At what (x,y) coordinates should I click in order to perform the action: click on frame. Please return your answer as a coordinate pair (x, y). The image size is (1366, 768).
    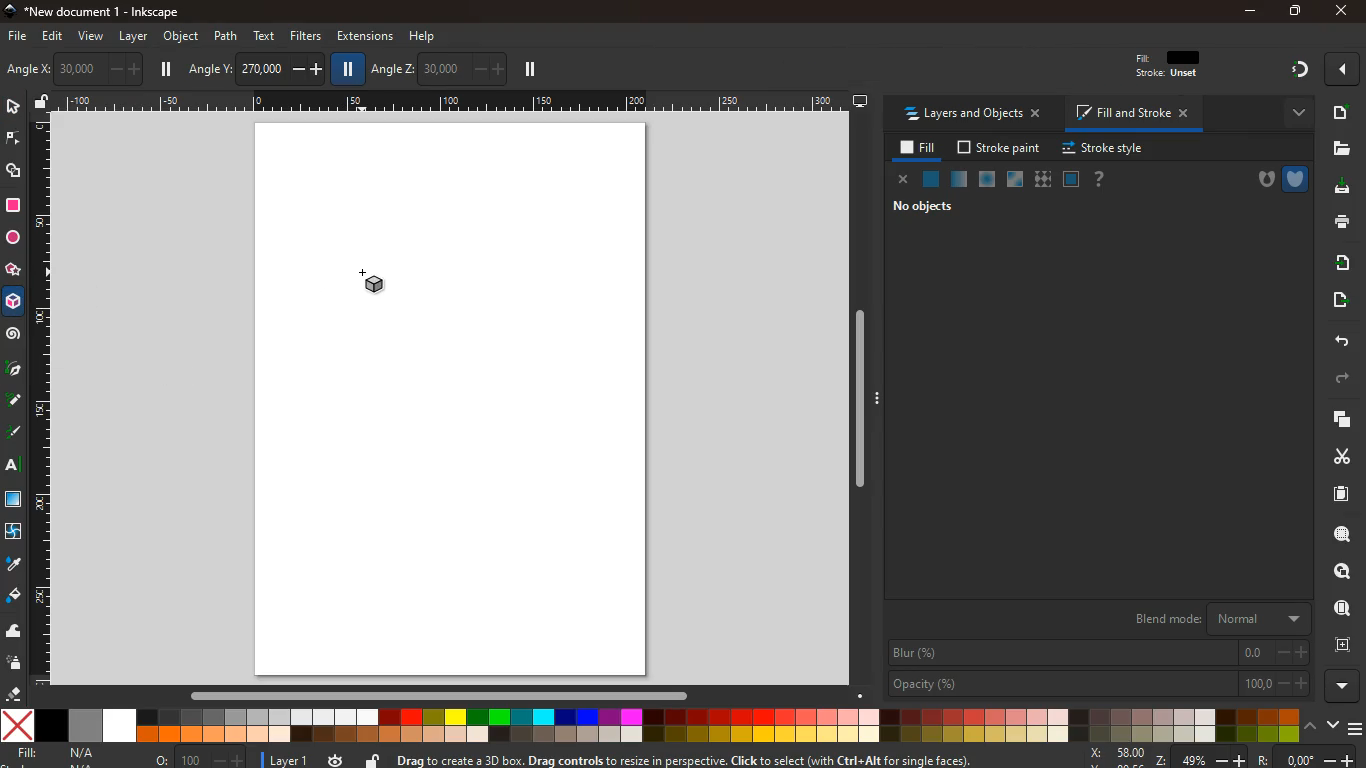
    Looking at the image, I should click on (1071, 179).